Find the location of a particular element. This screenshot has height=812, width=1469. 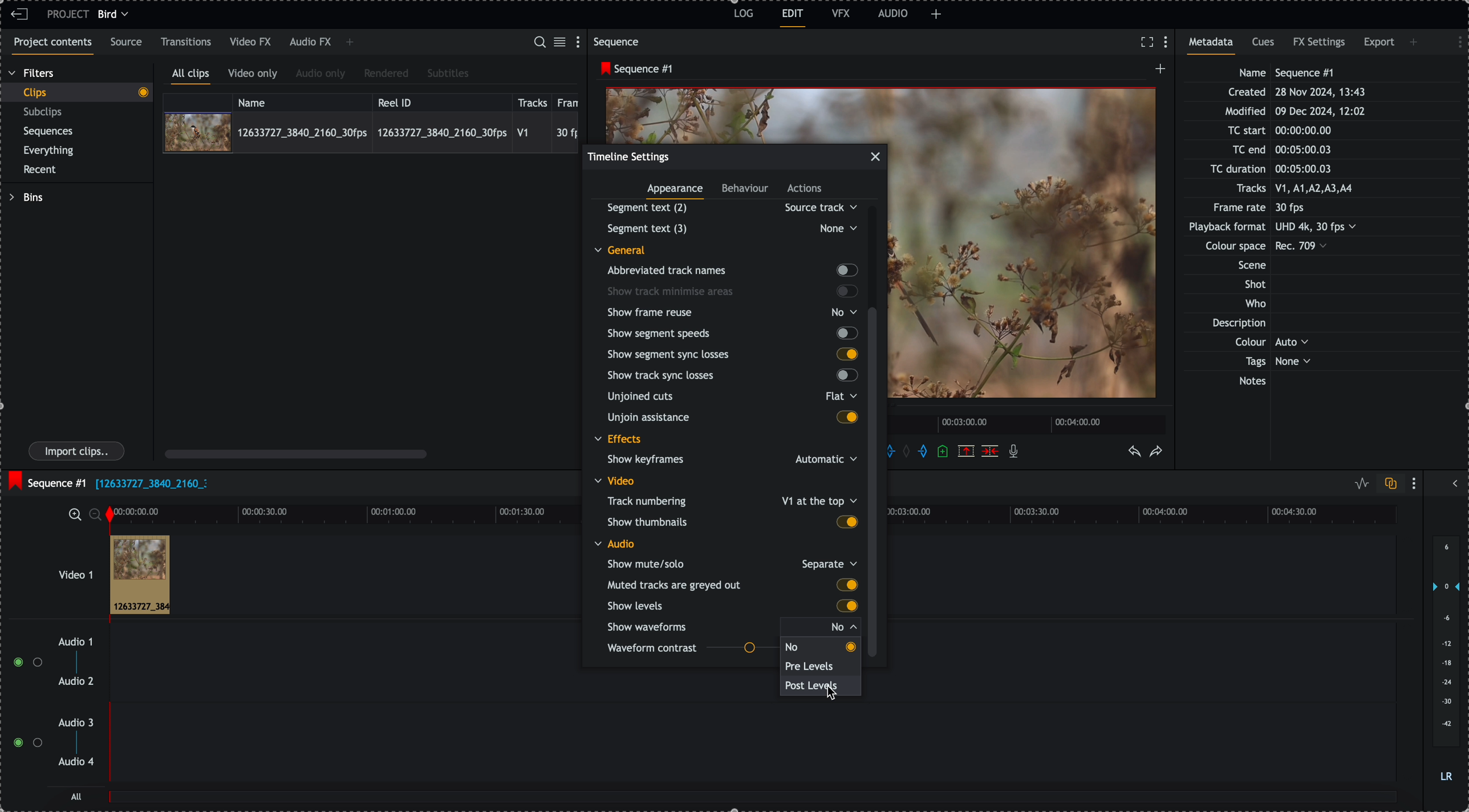

audio 4 is located at coordinates (75, 762).